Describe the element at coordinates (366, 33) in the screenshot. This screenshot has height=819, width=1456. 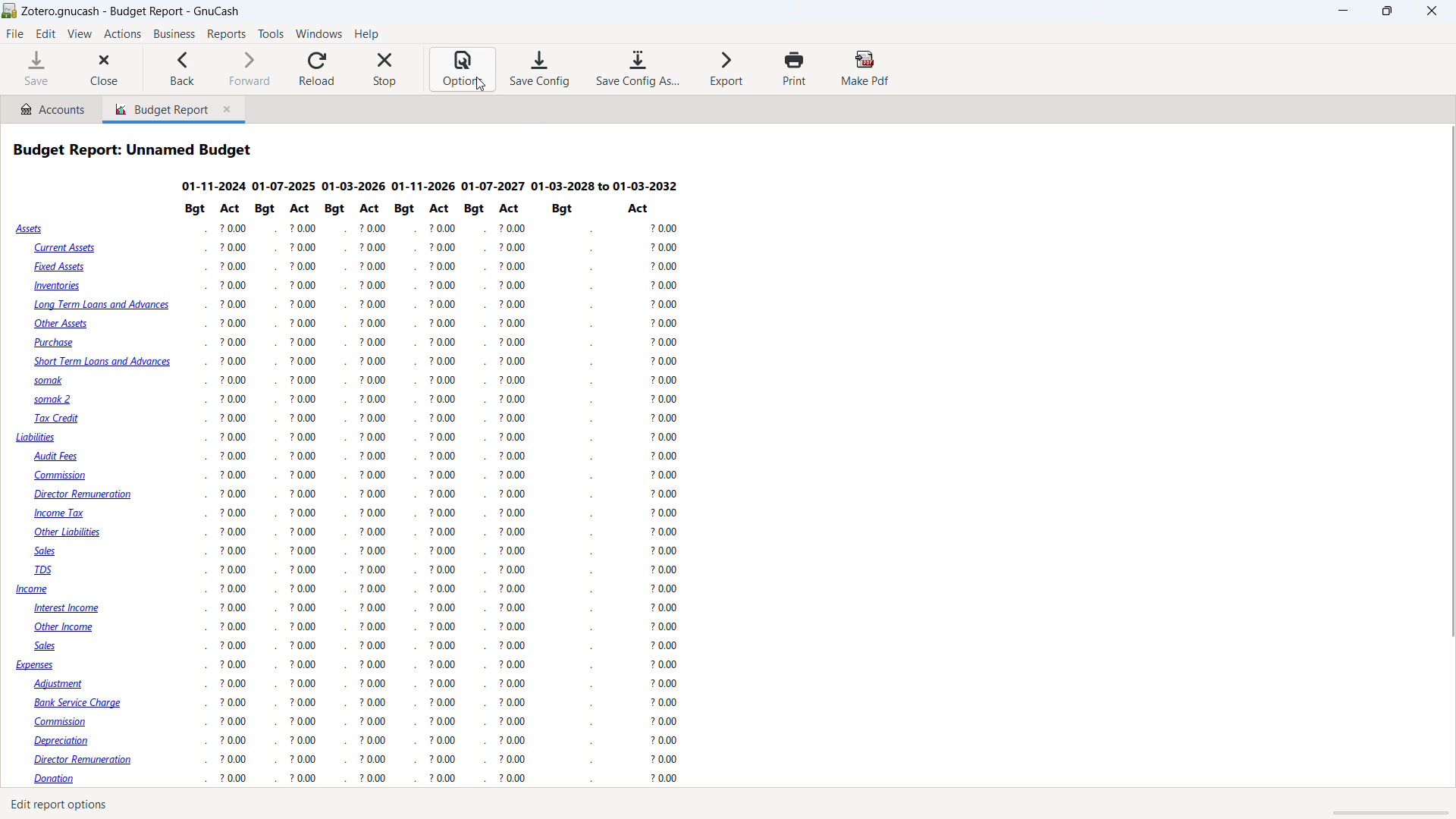
I see `help` at that location.